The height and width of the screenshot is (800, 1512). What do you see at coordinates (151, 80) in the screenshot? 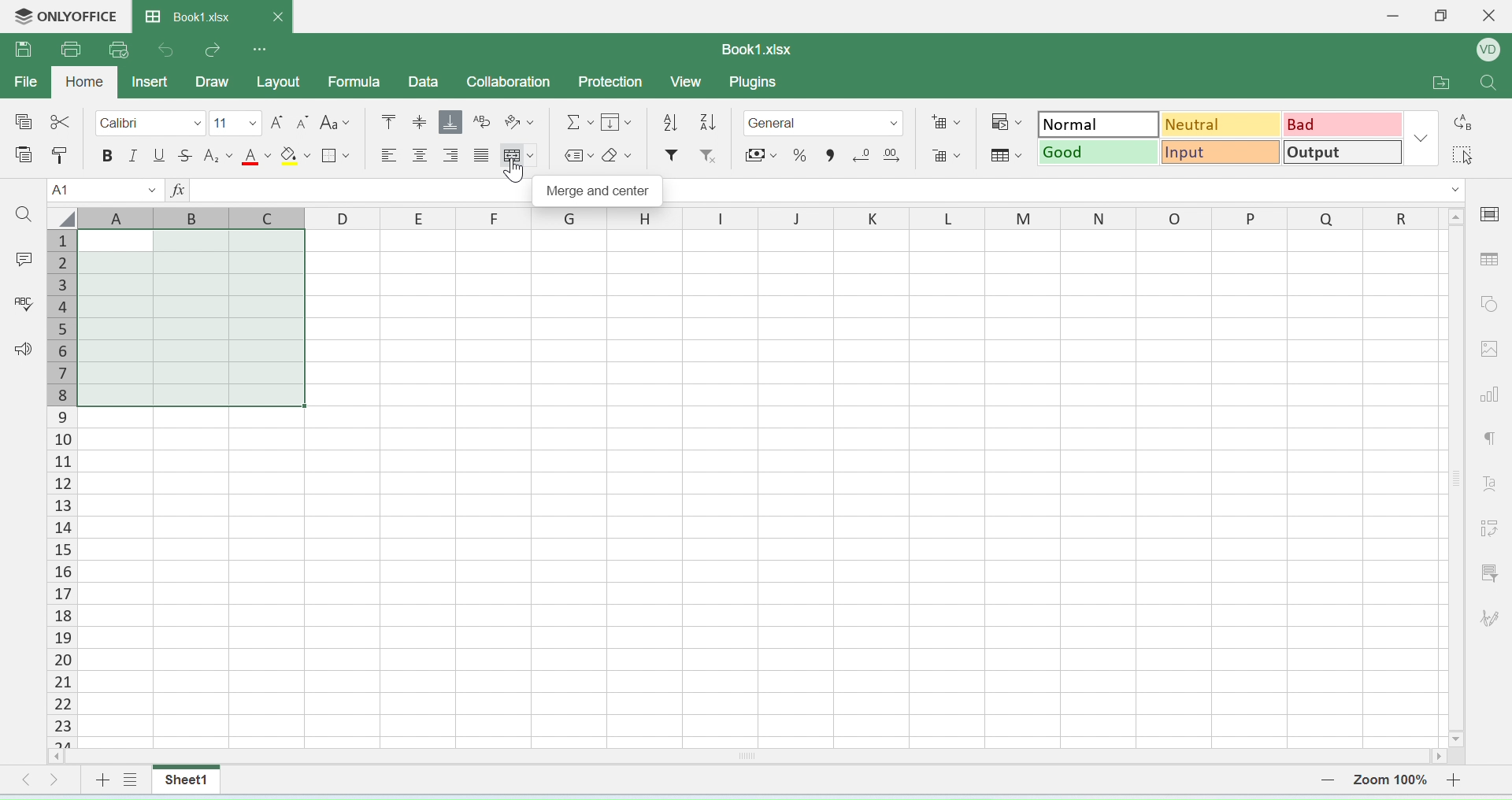
I see `inser` at bounding box center [151, 80].